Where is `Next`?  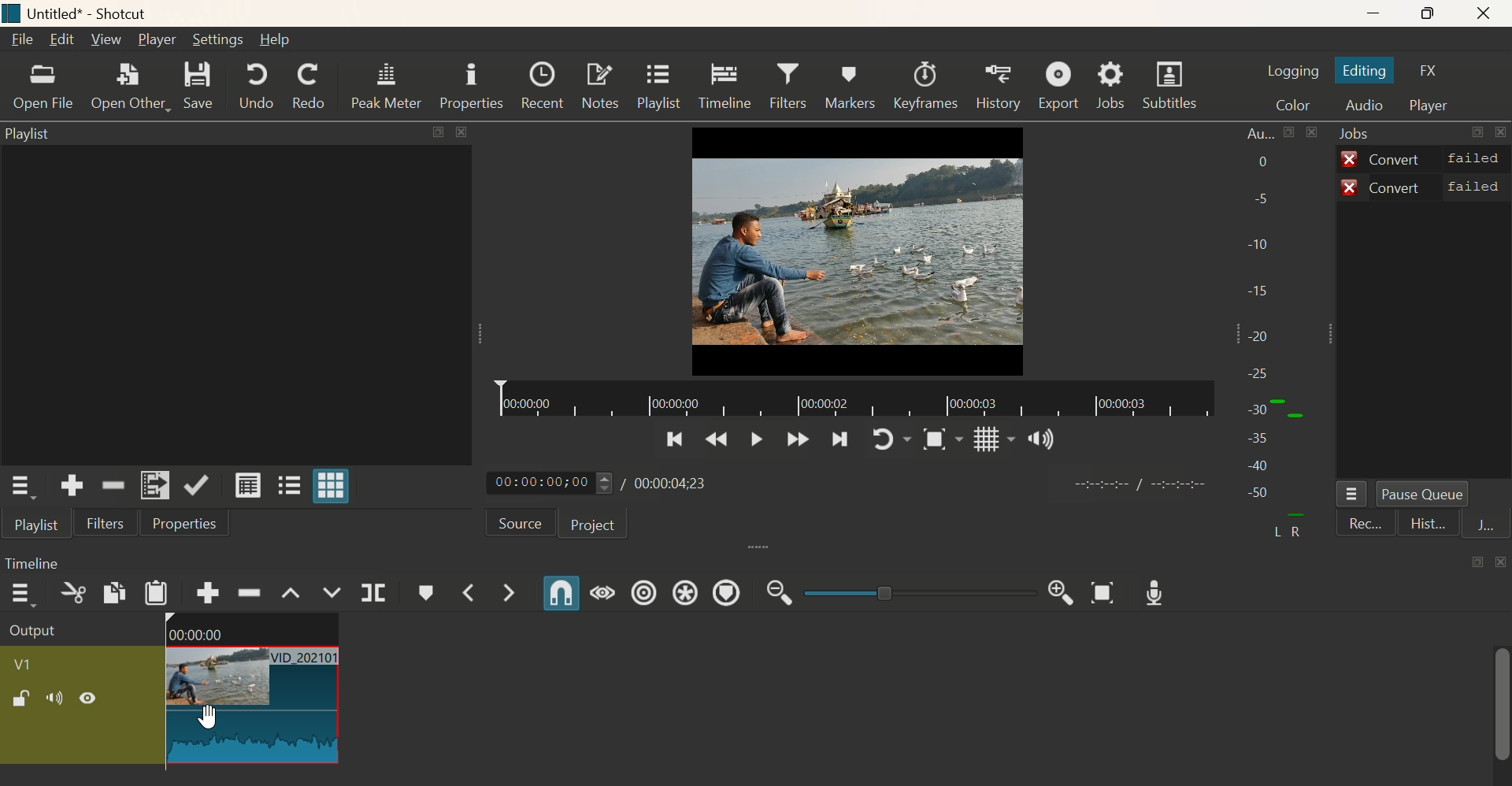
Next is located at coordinates (843, 441).